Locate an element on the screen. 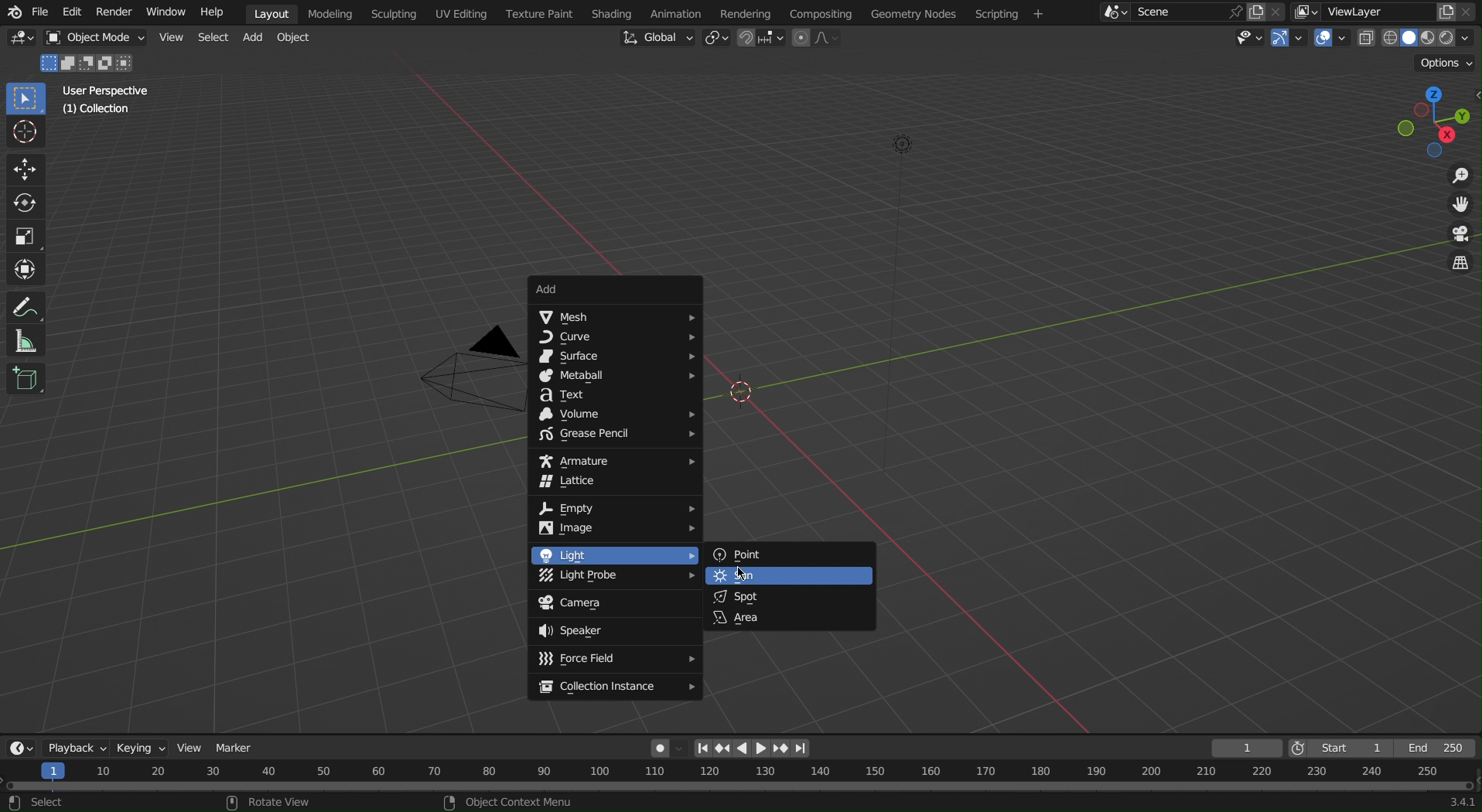 Image resolution: width=1482 pixels, height=812 pixels. Timeline is located at coordinates (741, 776).